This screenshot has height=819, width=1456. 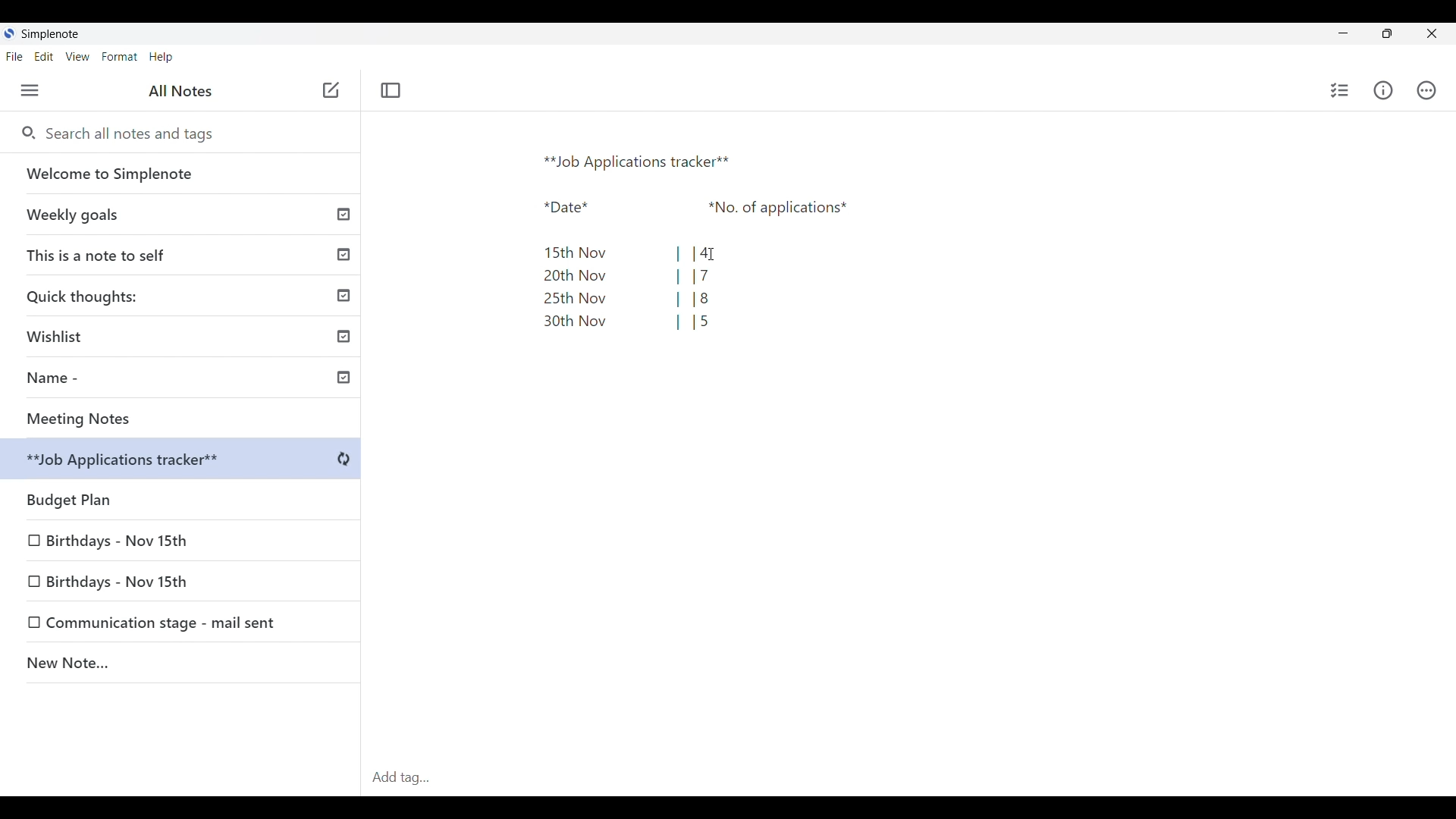 What do you see at coordinates (1341, 90) in the screenshot?
I see `Click to insert checklist` at bounding box center [1341, 90].